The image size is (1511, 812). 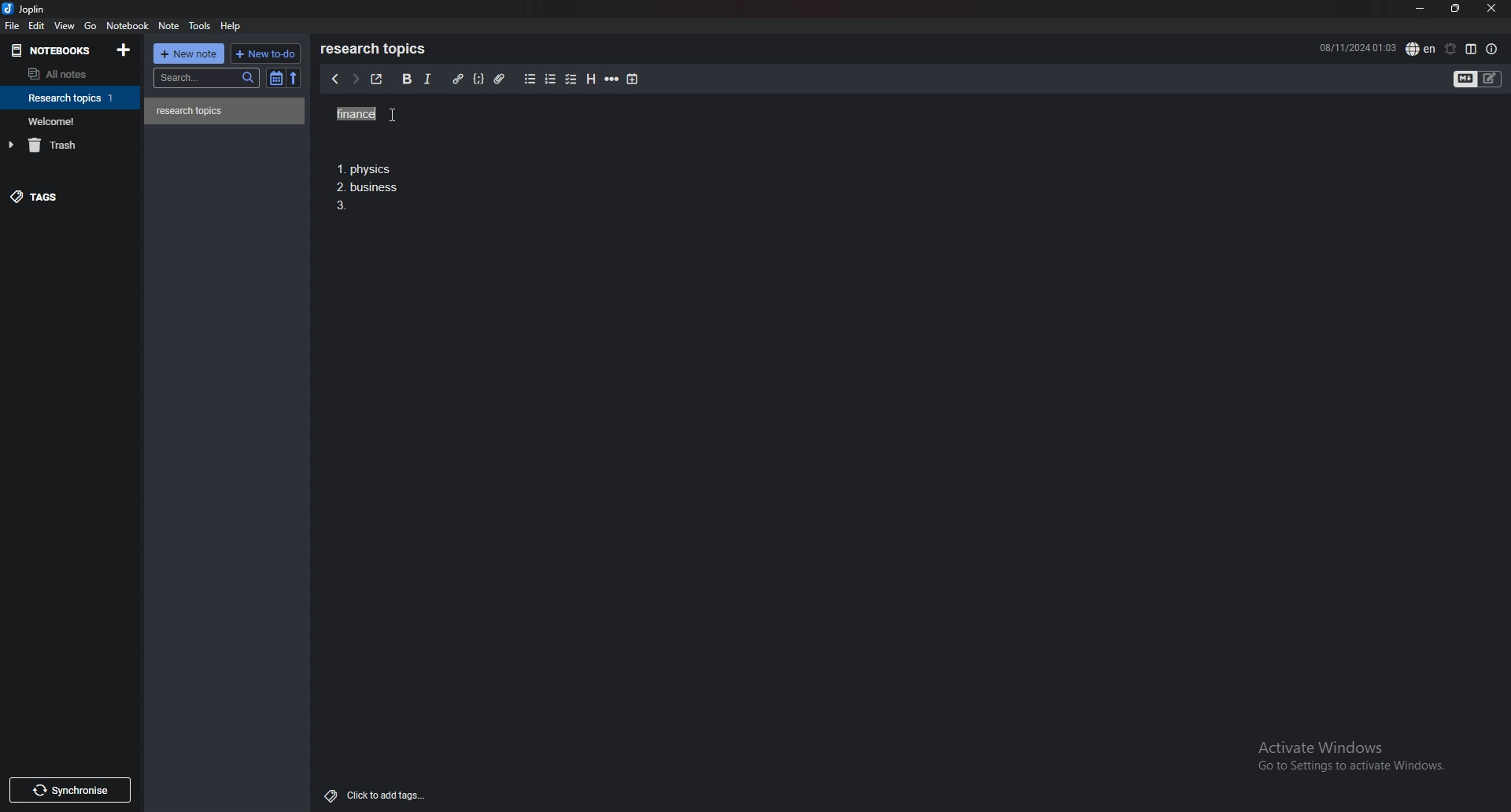 What do you see at coordinates (371, 795) in the screenshot?
I see `Click to add tags` at bounding box center [371, 795].